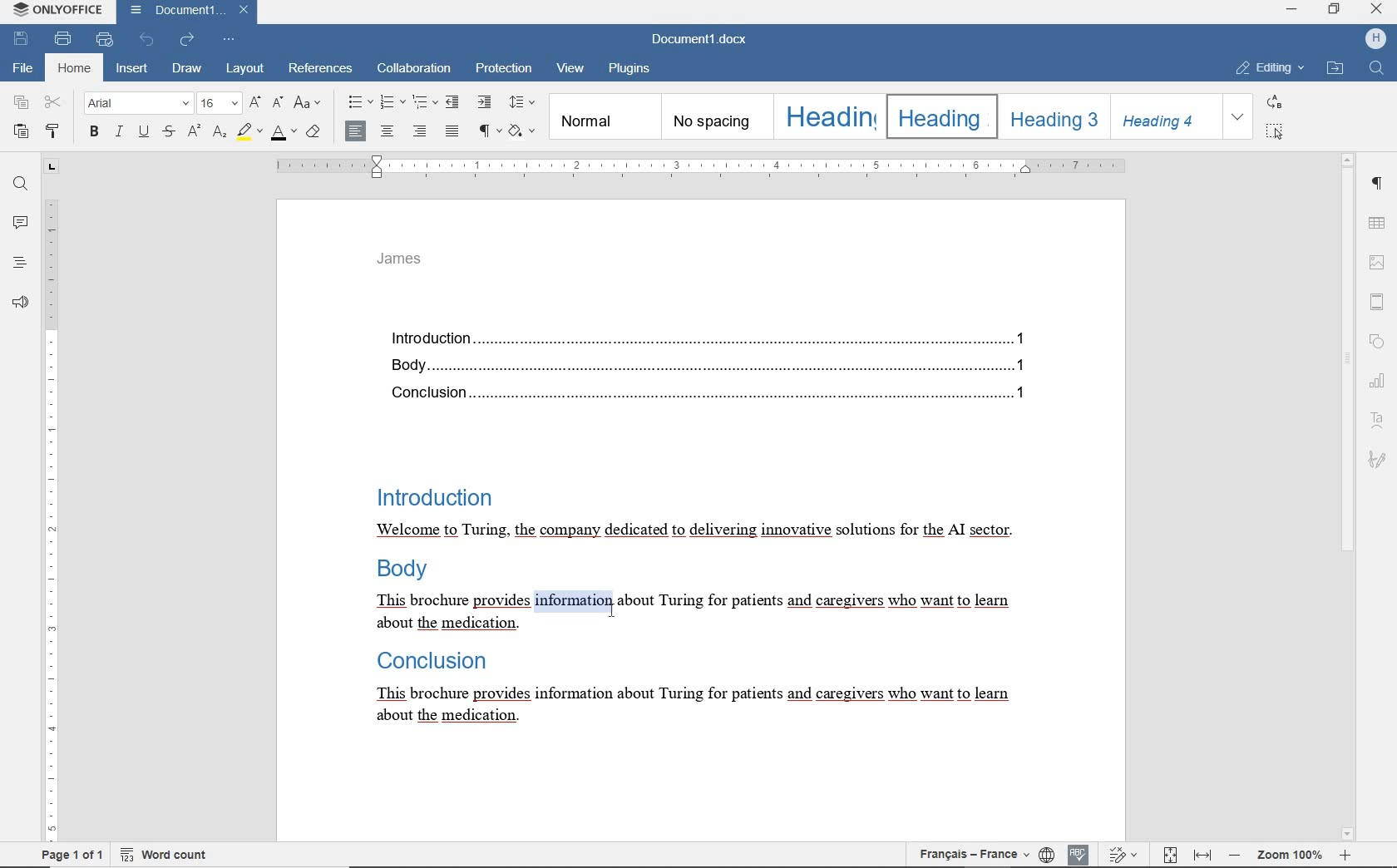 The height and width of the screenshot is (868, 1397). Describe the element at coordinates (452, 131) in the screenshot. I see `JUSTIFIED` at that location.